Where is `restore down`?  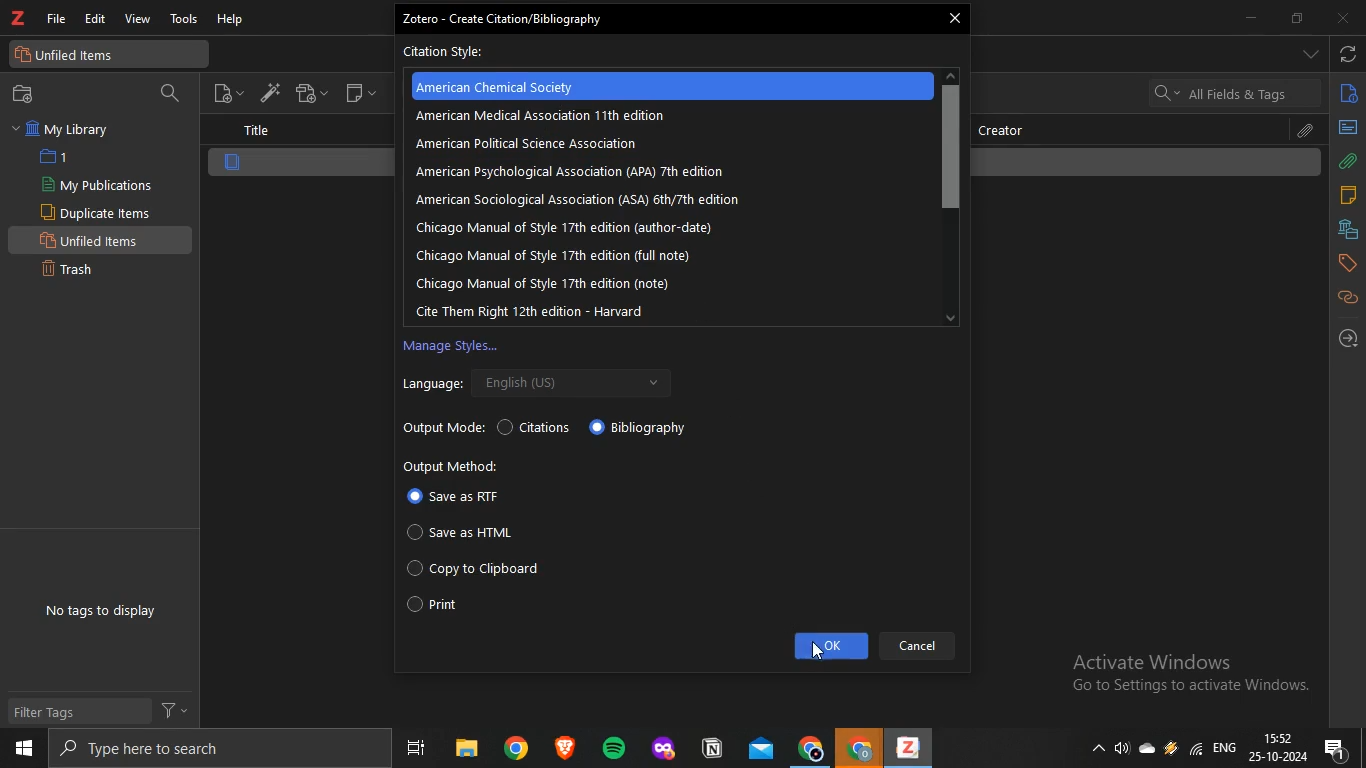
restore down is located at coordinates (1297, 20).